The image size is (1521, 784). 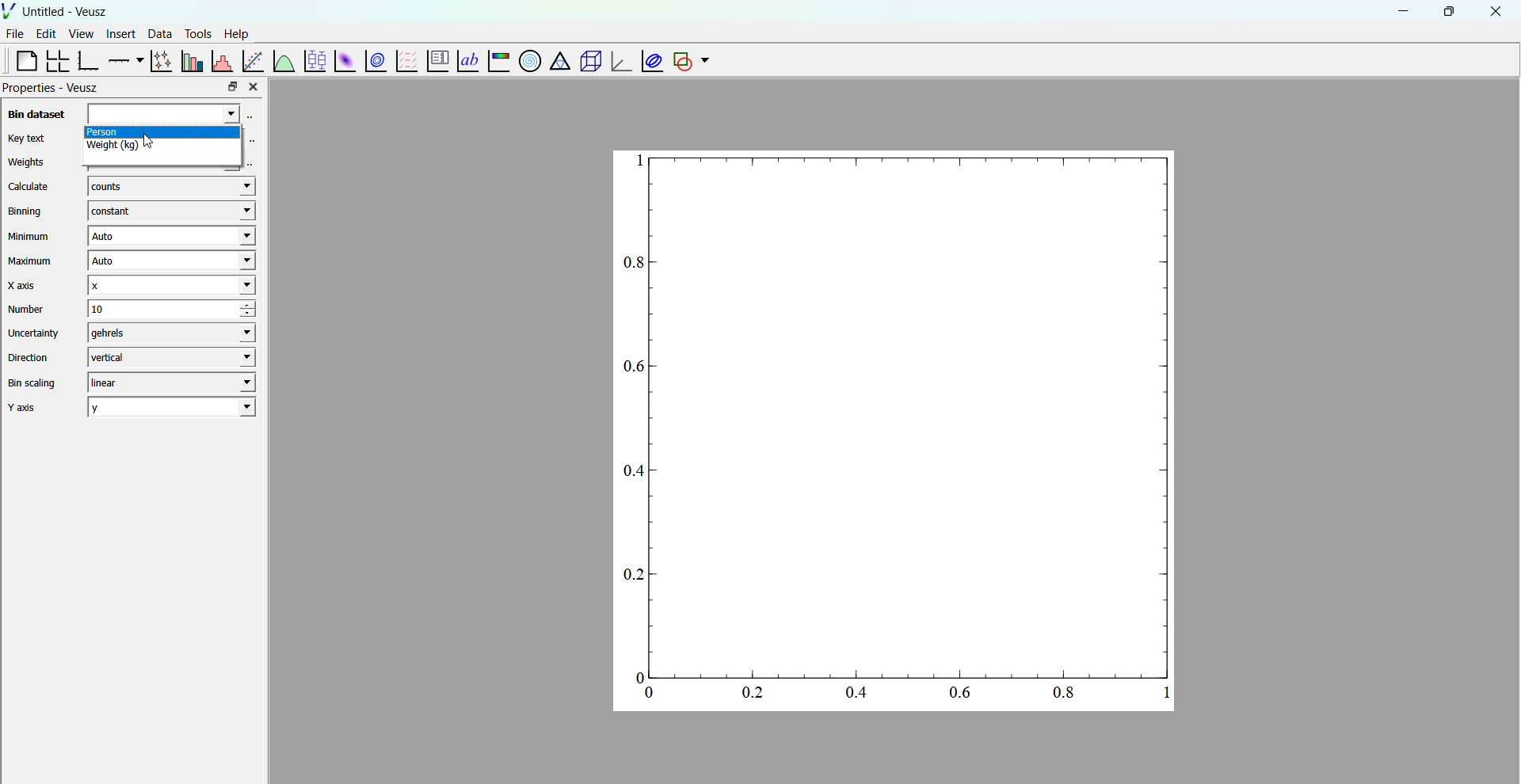 I want to click on 0.2, so click(x=749, y=691).